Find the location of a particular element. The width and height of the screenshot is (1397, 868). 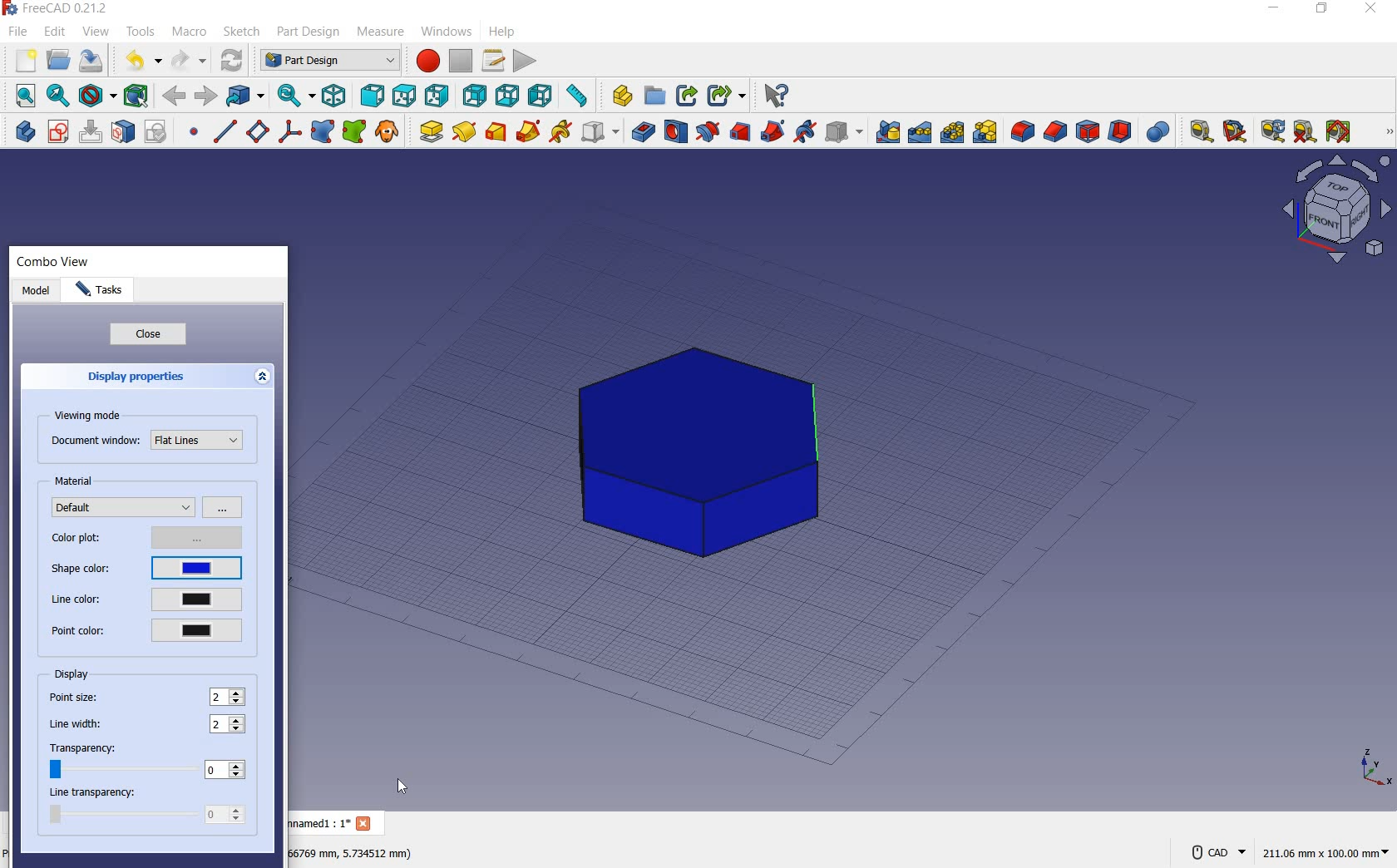

create a datum line is located at coordinates (223, 131).